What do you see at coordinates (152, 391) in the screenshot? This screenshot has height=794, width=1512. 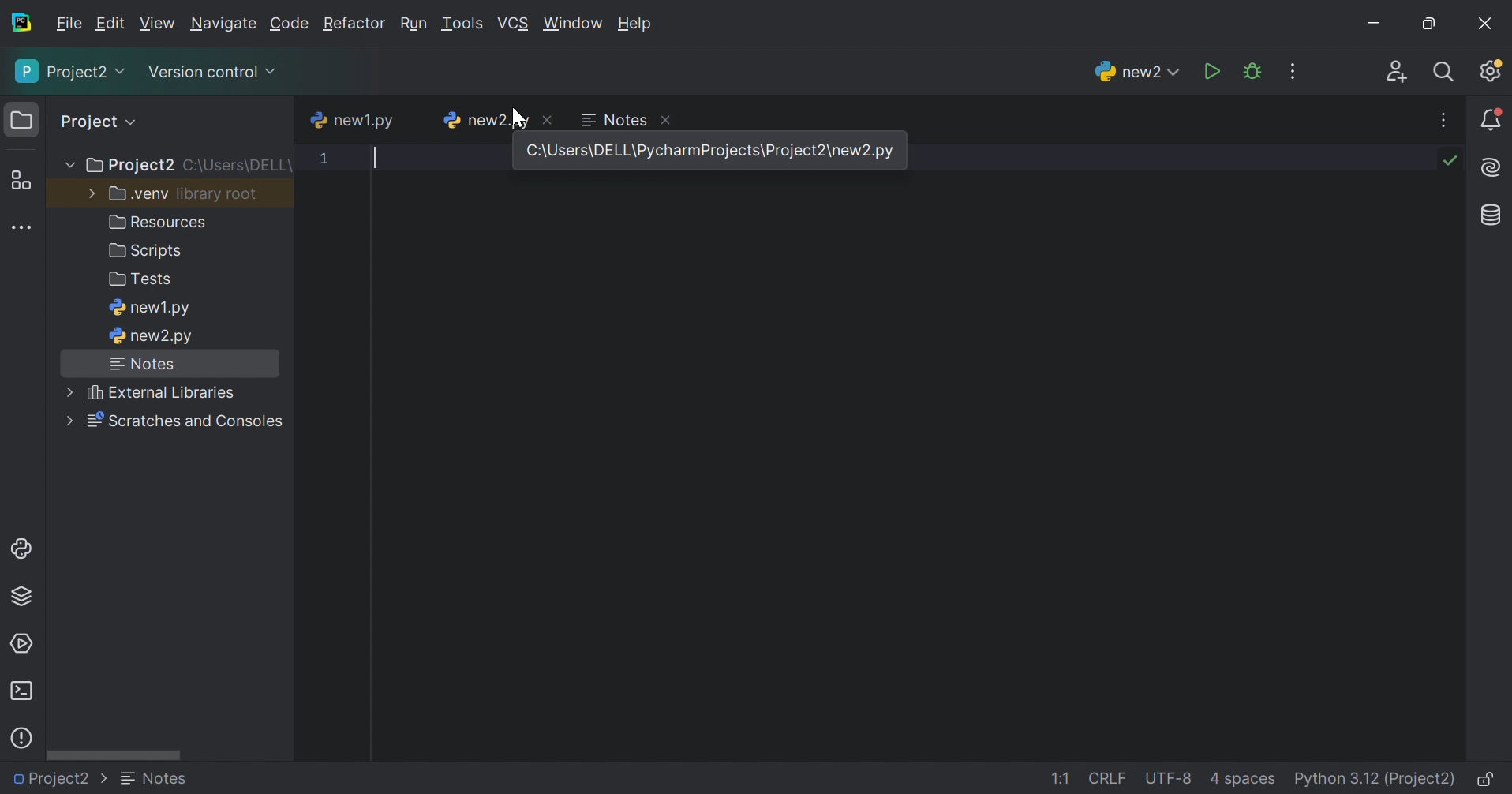 I see `External libraries` at bounding box center [152, 391].